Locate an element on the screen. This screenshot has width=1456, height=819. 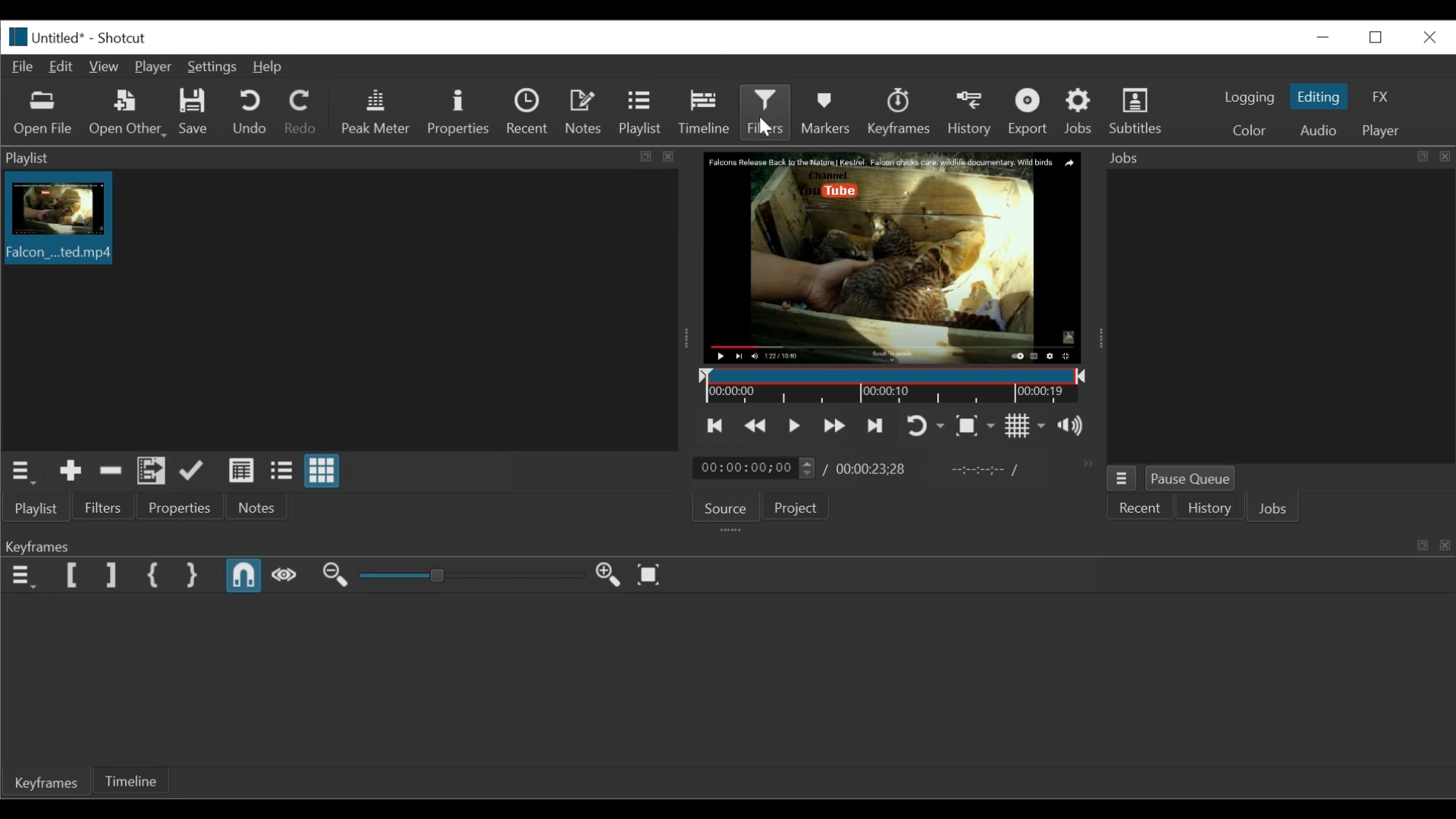
Zoom keyframe to fit is located at coordinates (653, 573).